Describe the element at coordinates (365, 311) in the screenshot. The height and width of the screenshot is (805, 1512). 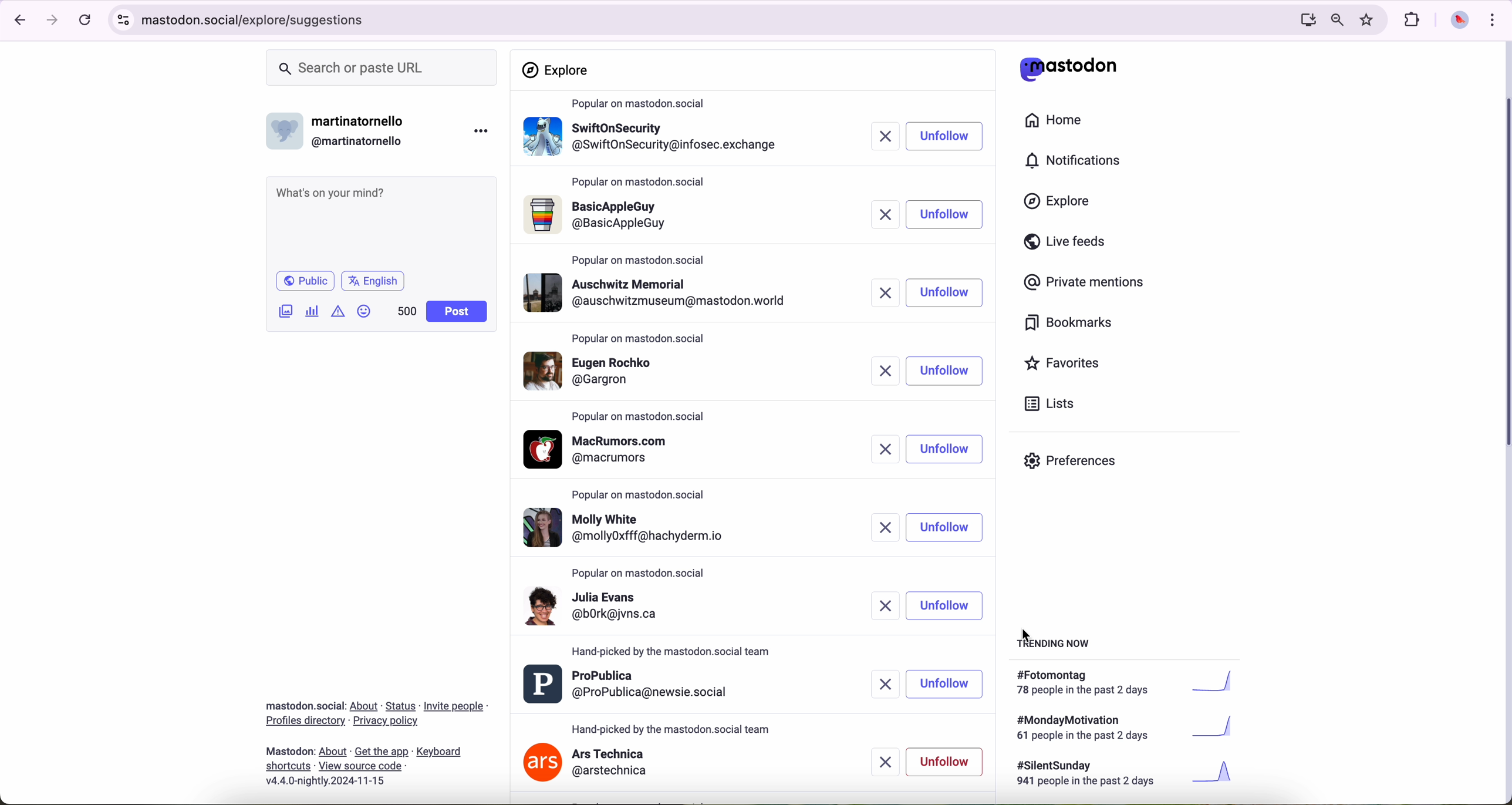
I see `emoji` at that location.